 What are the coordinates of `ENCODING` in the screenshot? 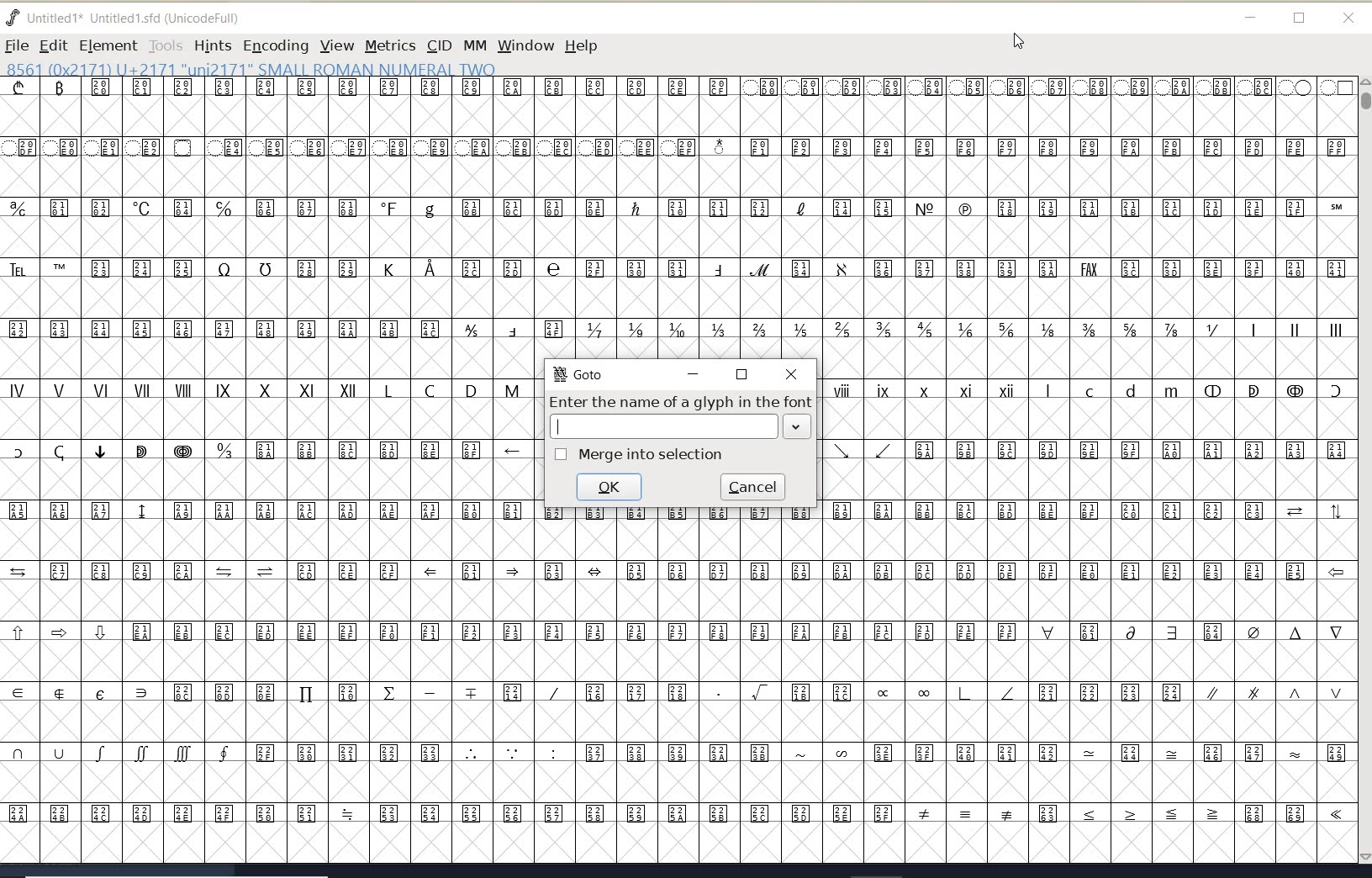 It's located at (276, 46).